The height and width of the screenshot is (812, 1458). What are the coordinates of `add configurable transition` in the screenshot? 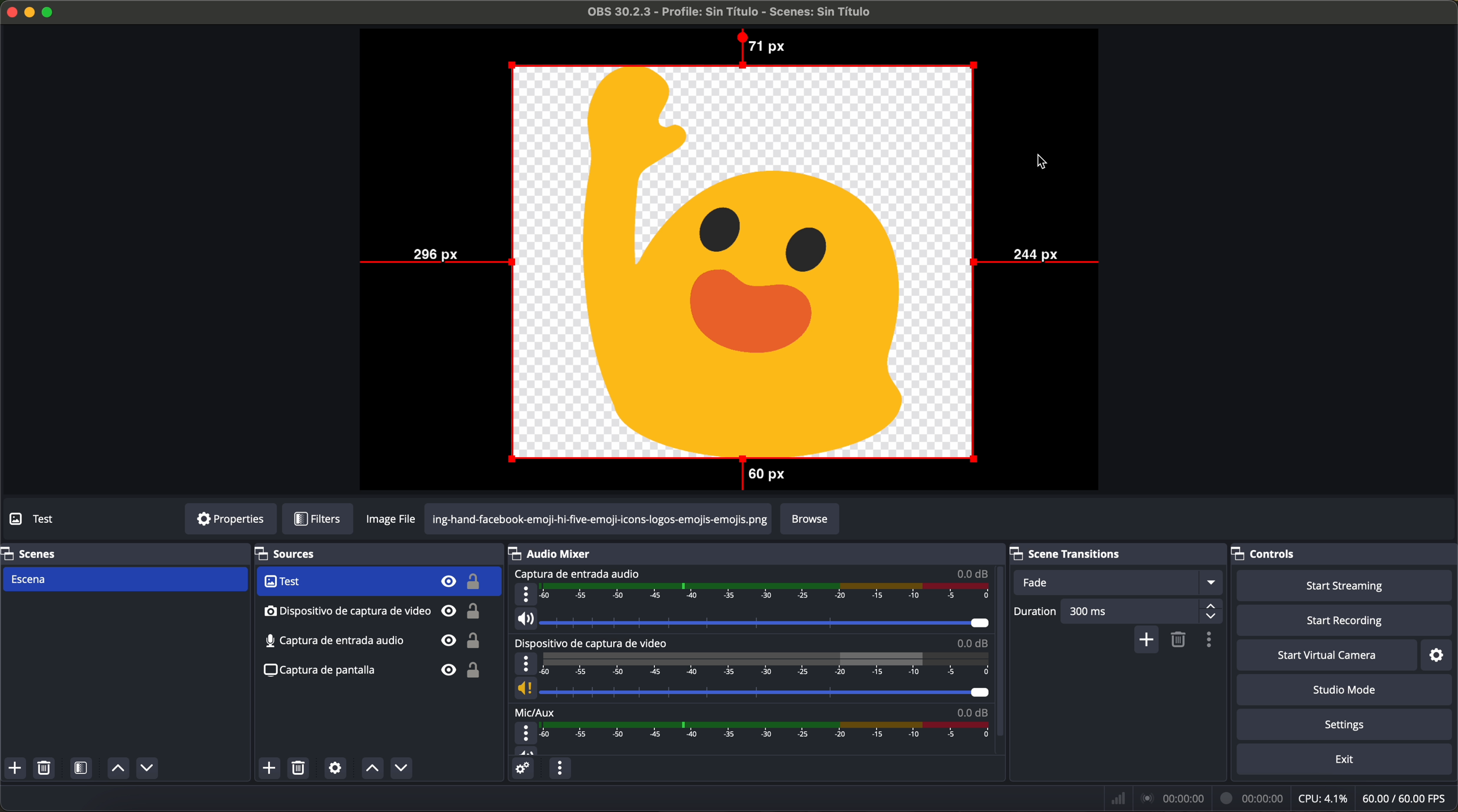 It's located at (1147, 641).